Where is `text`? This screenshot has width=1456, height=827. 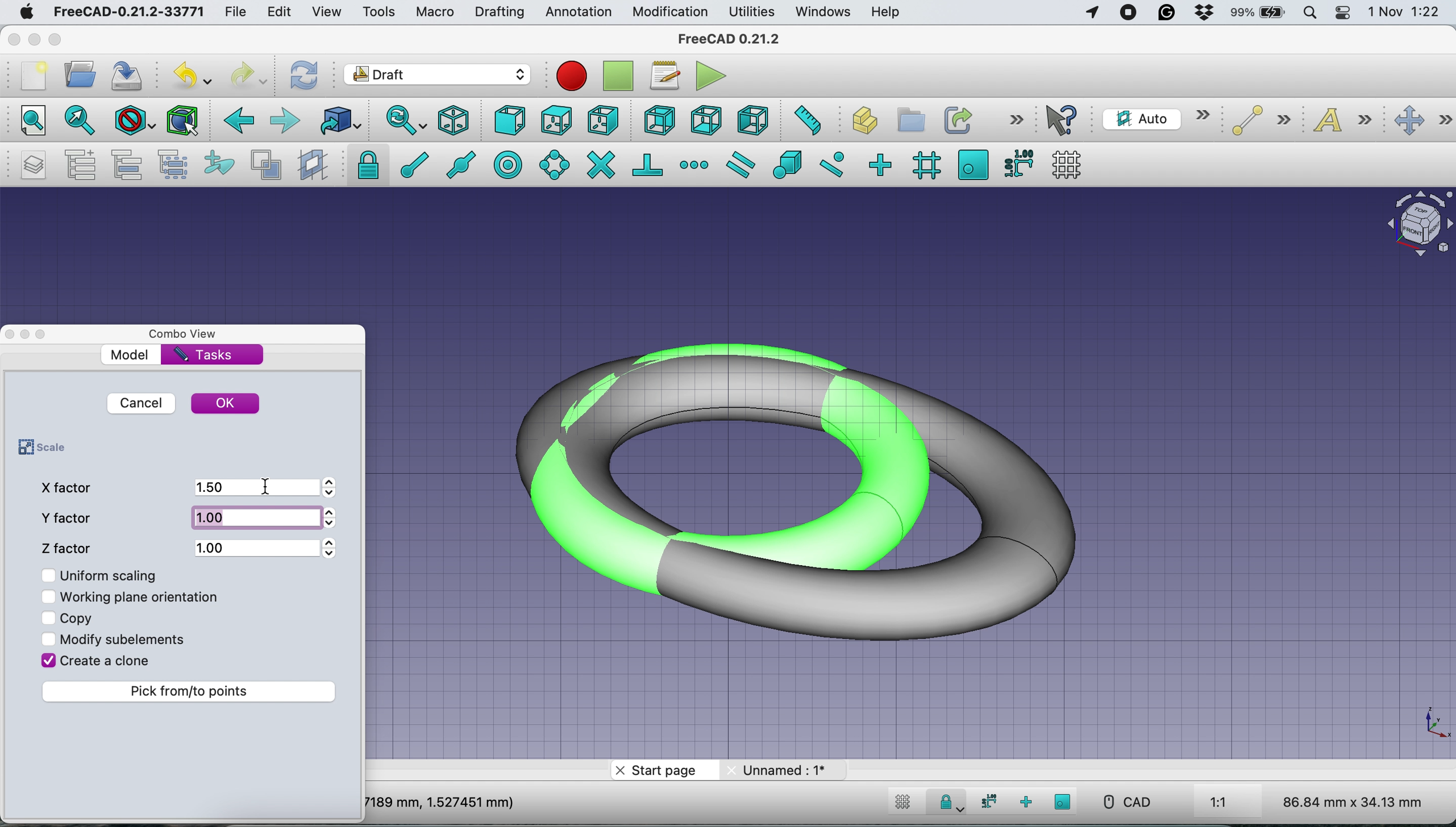 text is located at coordinates (1345, 122).